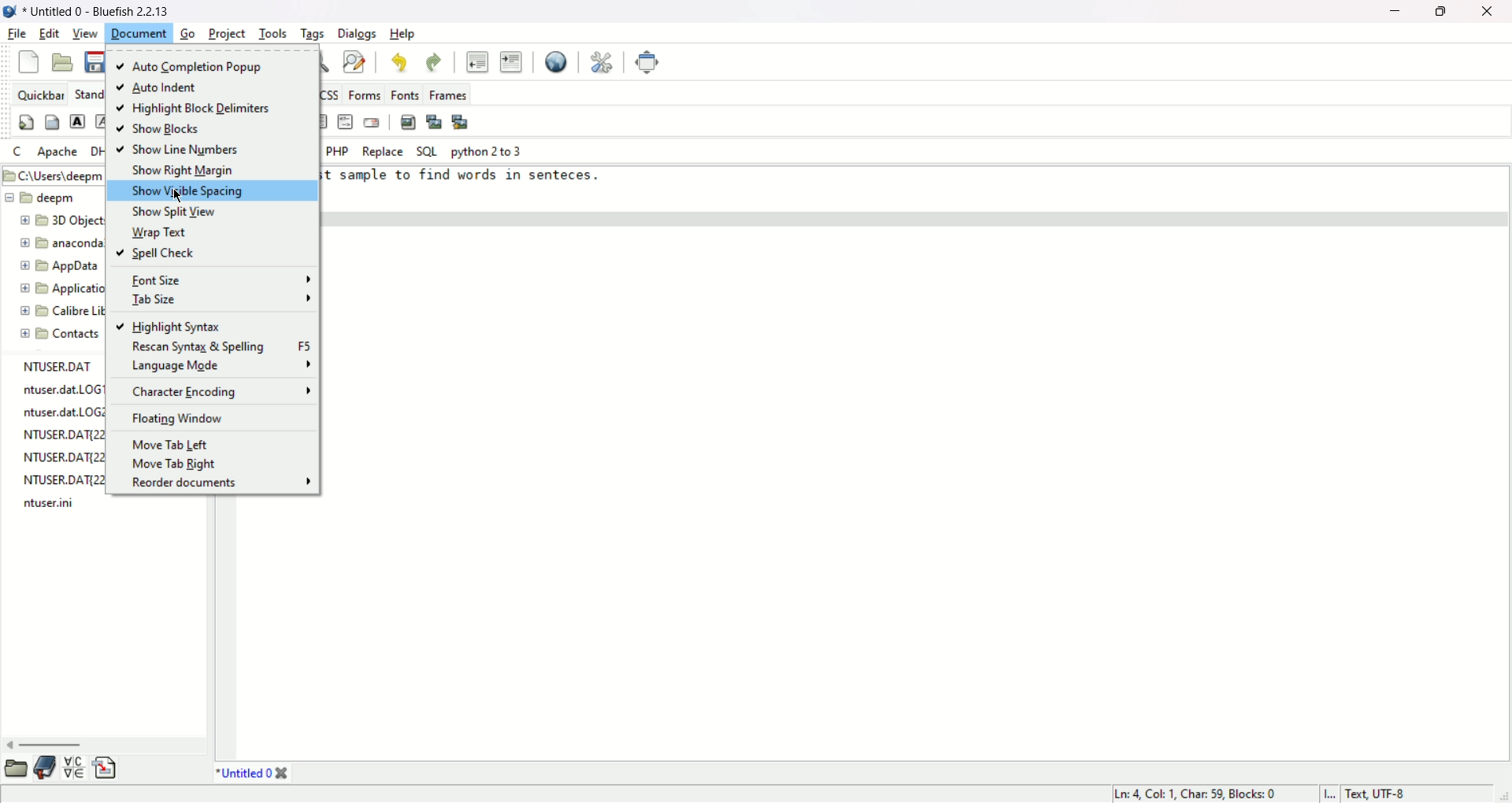 This screenshot has height=803, width=1512. What do you see at coordinates (346, 122) in the screenshot?
I see `html comment` at bounding box center [346, 122].